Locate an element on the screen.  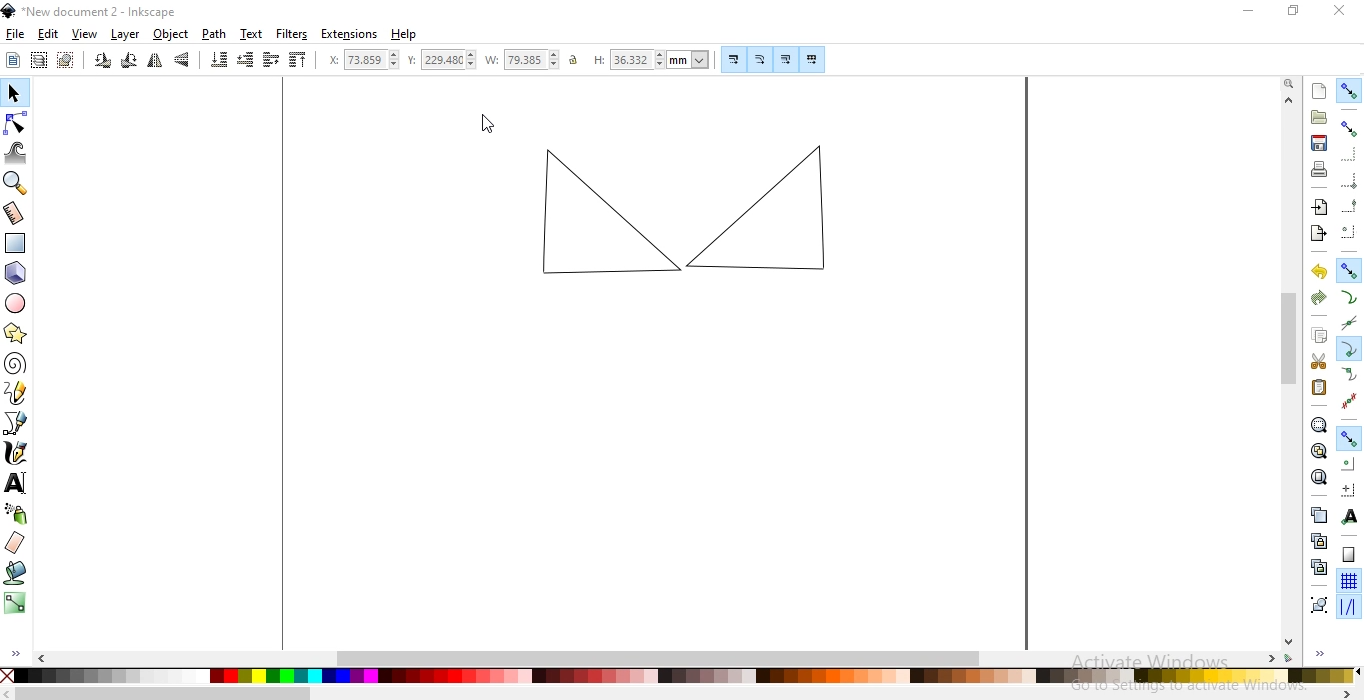
redo the action is located at coordinates (1320, 297).